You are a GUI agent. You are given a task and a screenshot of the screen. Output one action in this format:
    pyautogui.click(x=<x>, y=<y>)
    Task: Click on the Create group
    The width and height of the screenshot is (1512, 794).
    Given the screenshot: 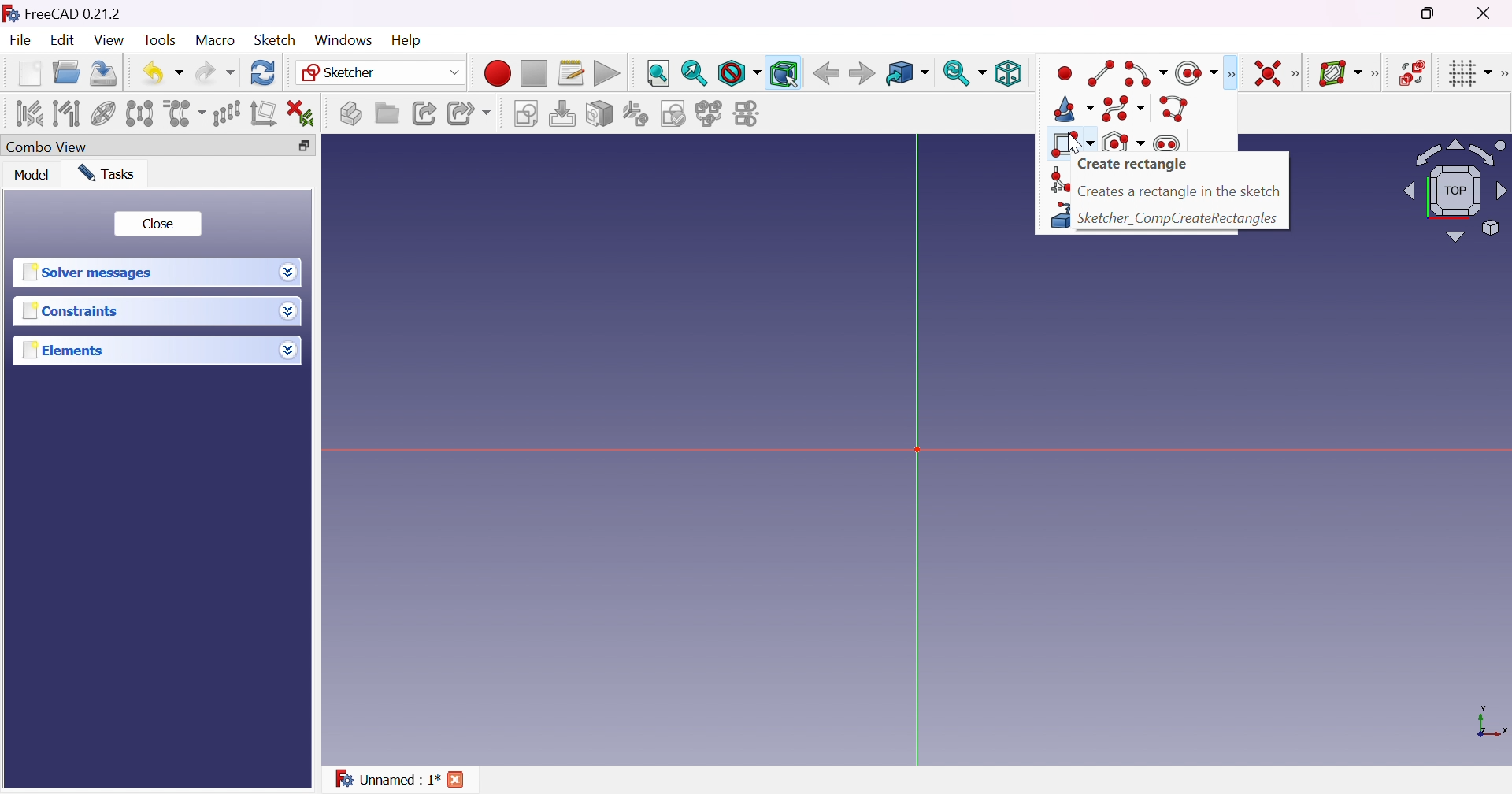 What is the action you would take?
    pyautogui.click(x=387, y=114)
    